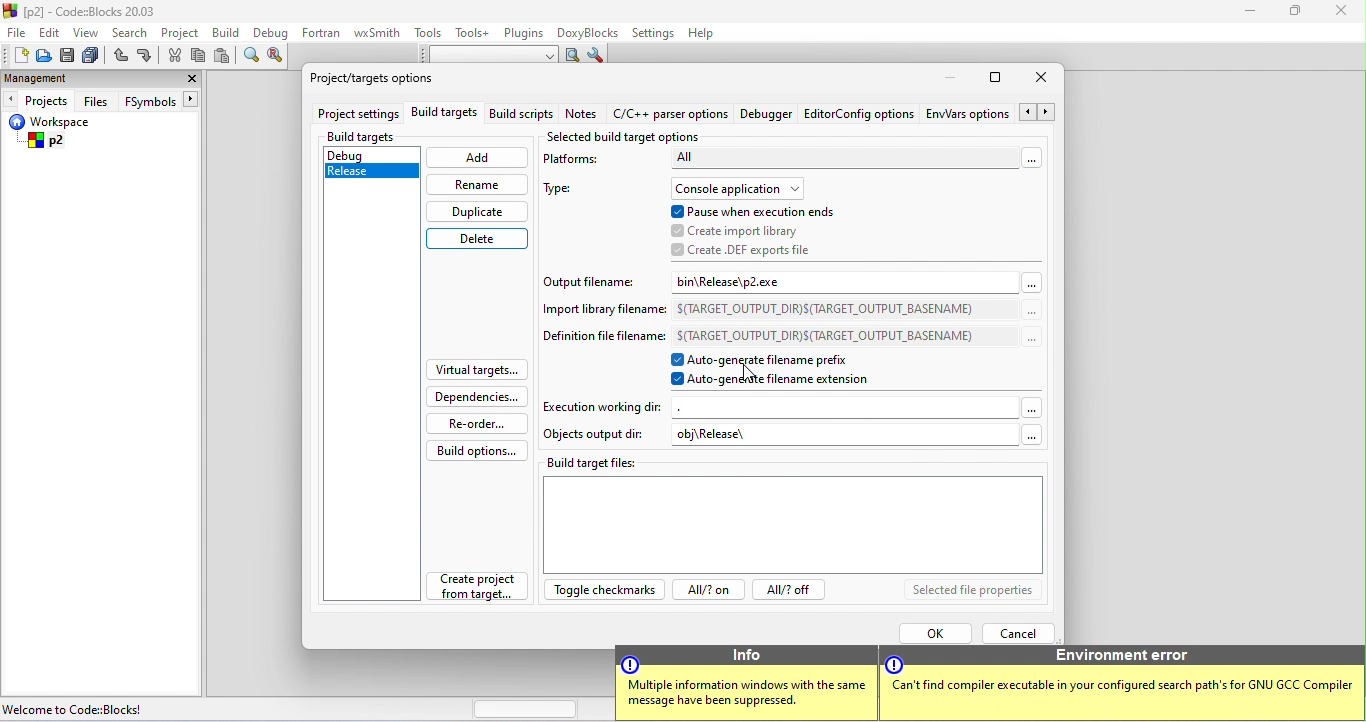 This screenshot has width=1366, height=722. What do you see at coordinates (94, 55) in the screenshot?
I see `save everything` at bounding box center [94, 55].